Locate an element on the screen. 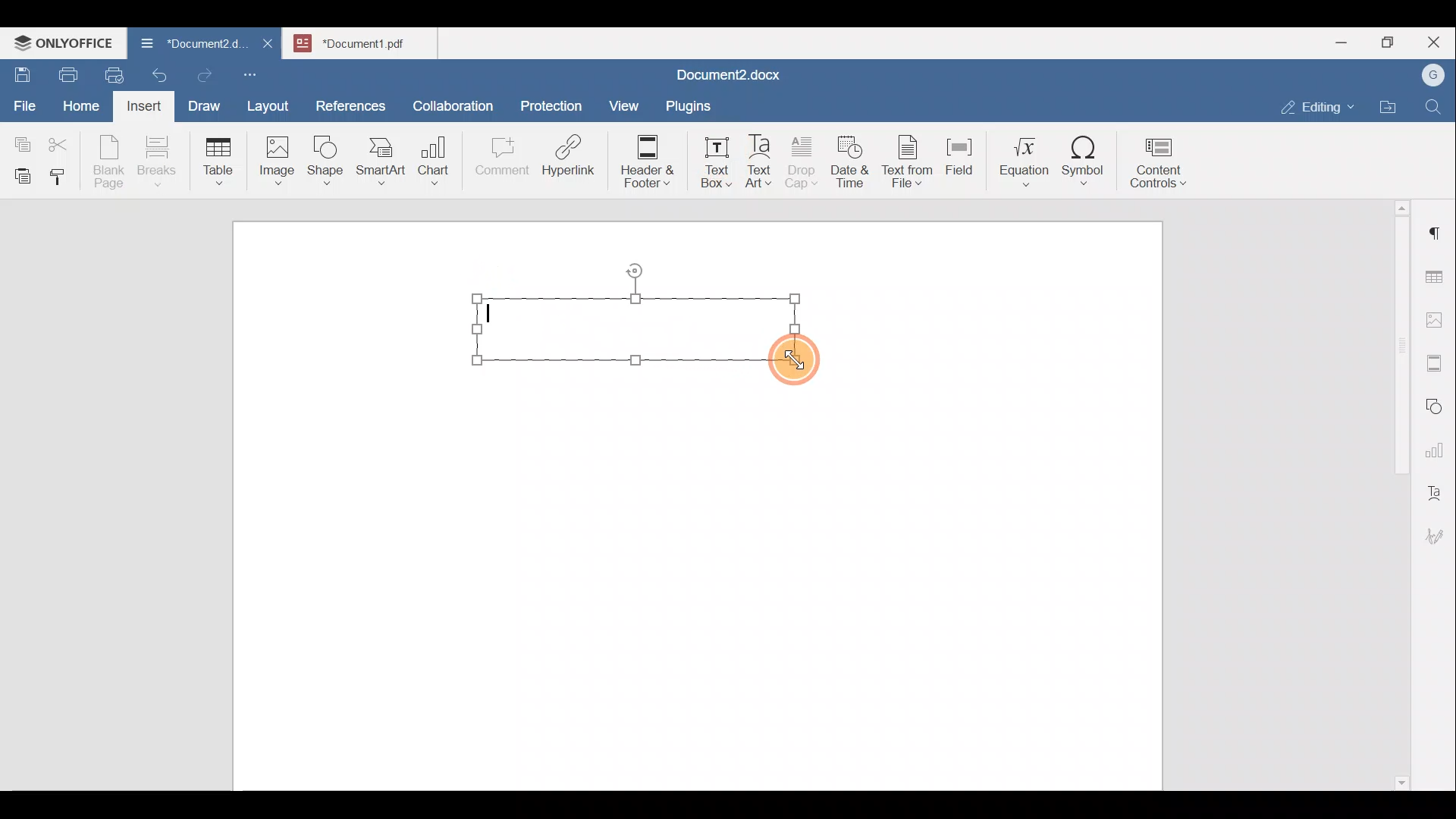 The width and height of the screenshot is (1456, 819). Table is located at coordinates (219, 158).